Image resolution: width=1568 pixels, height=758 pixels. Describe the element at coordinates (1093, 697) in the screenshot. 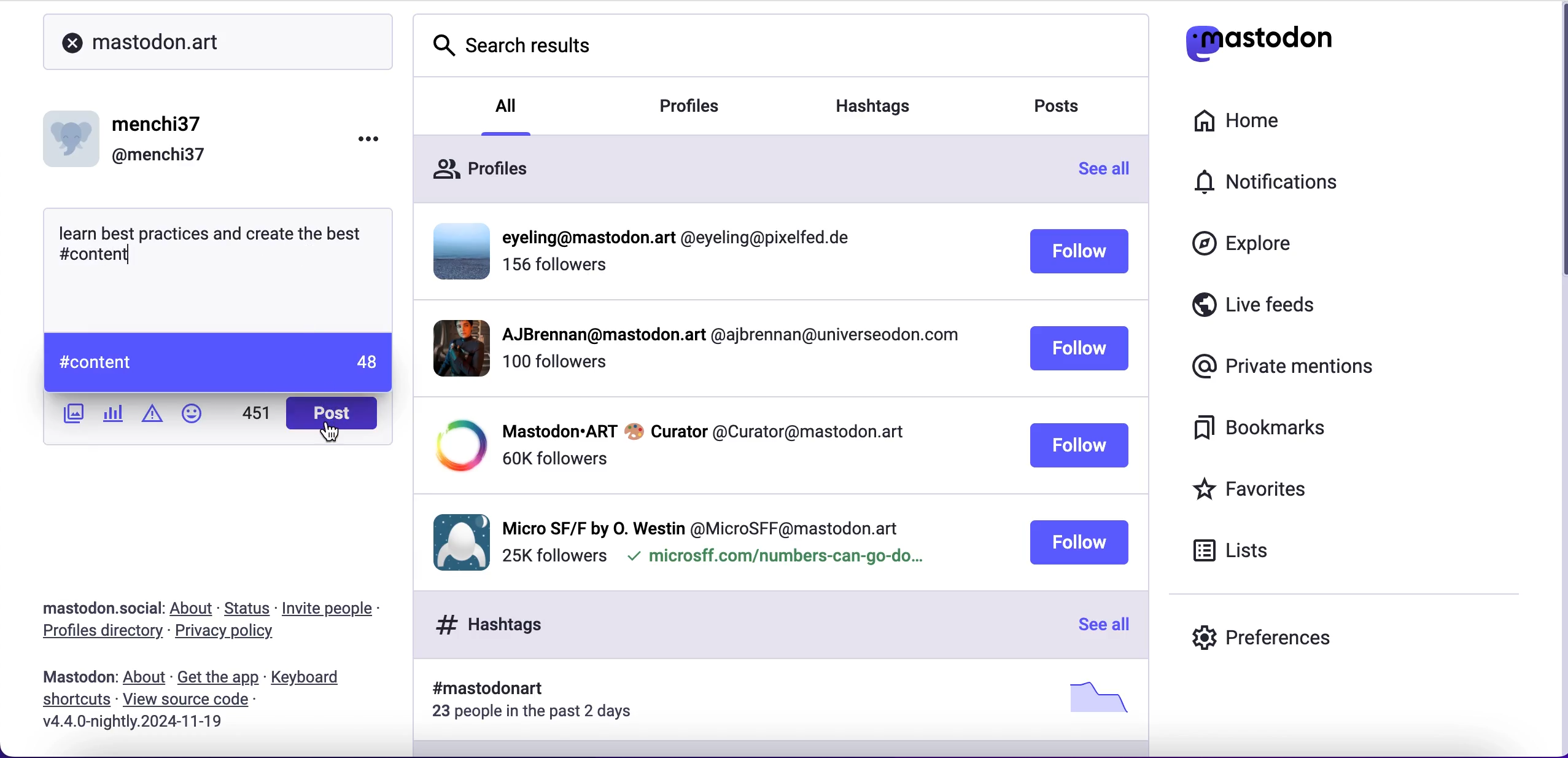

I see `picture` at that location.